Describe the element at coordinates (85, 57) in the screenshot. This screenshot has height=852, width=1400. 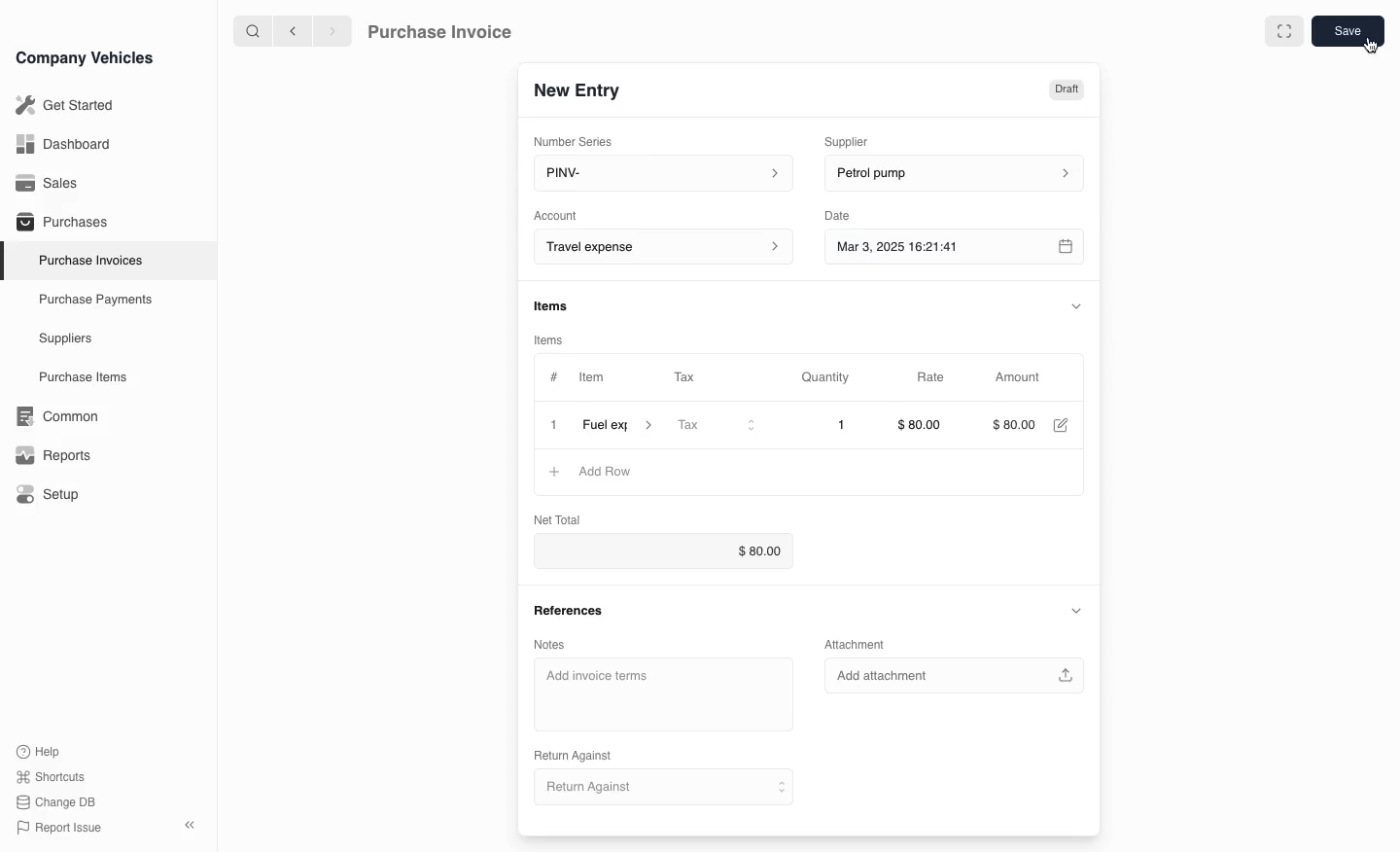
I see `Company Vehicles` at that location.